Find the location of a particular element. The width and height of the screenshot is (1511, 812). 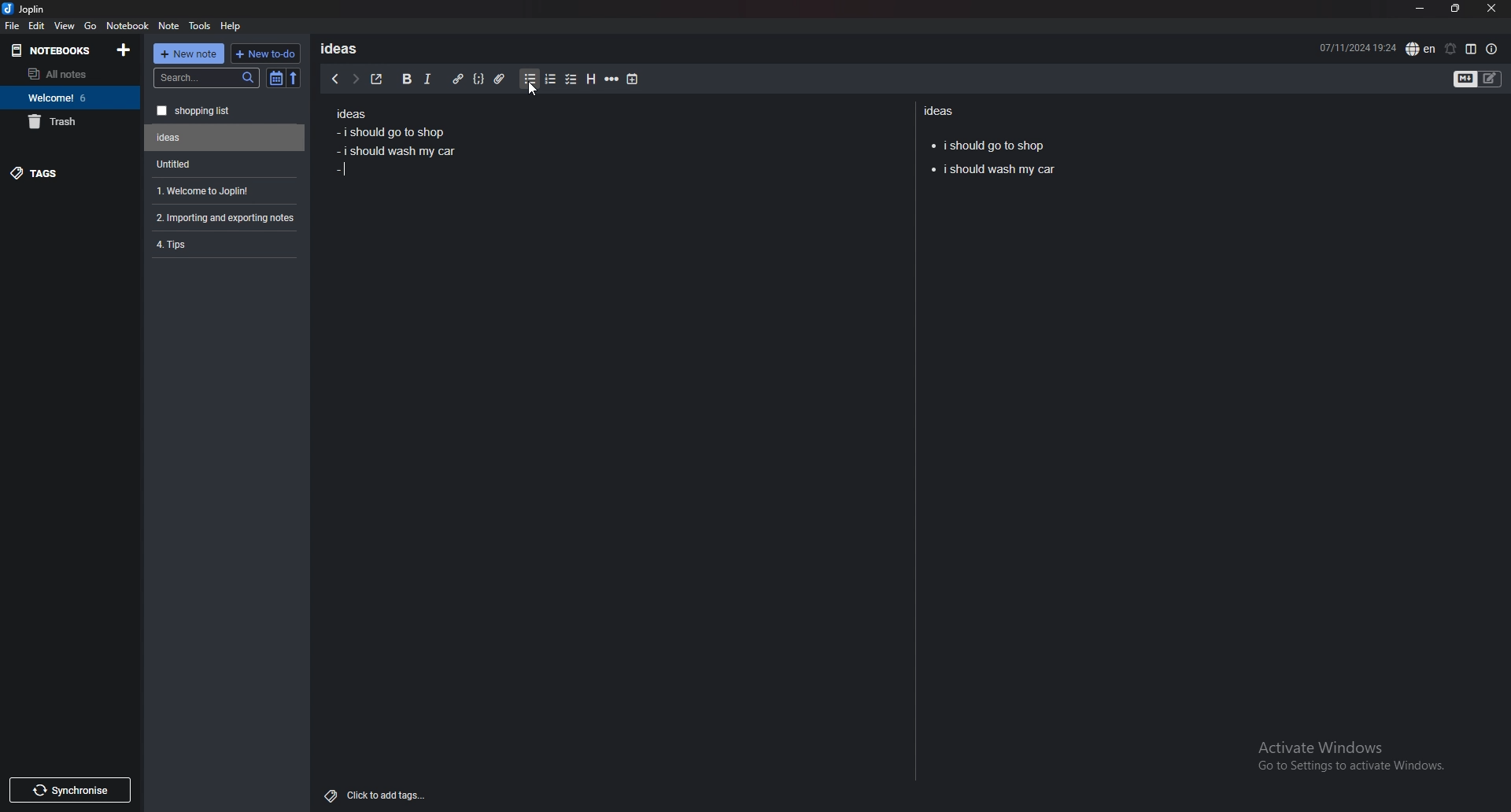

ideas is located at coordinates (345, 48).